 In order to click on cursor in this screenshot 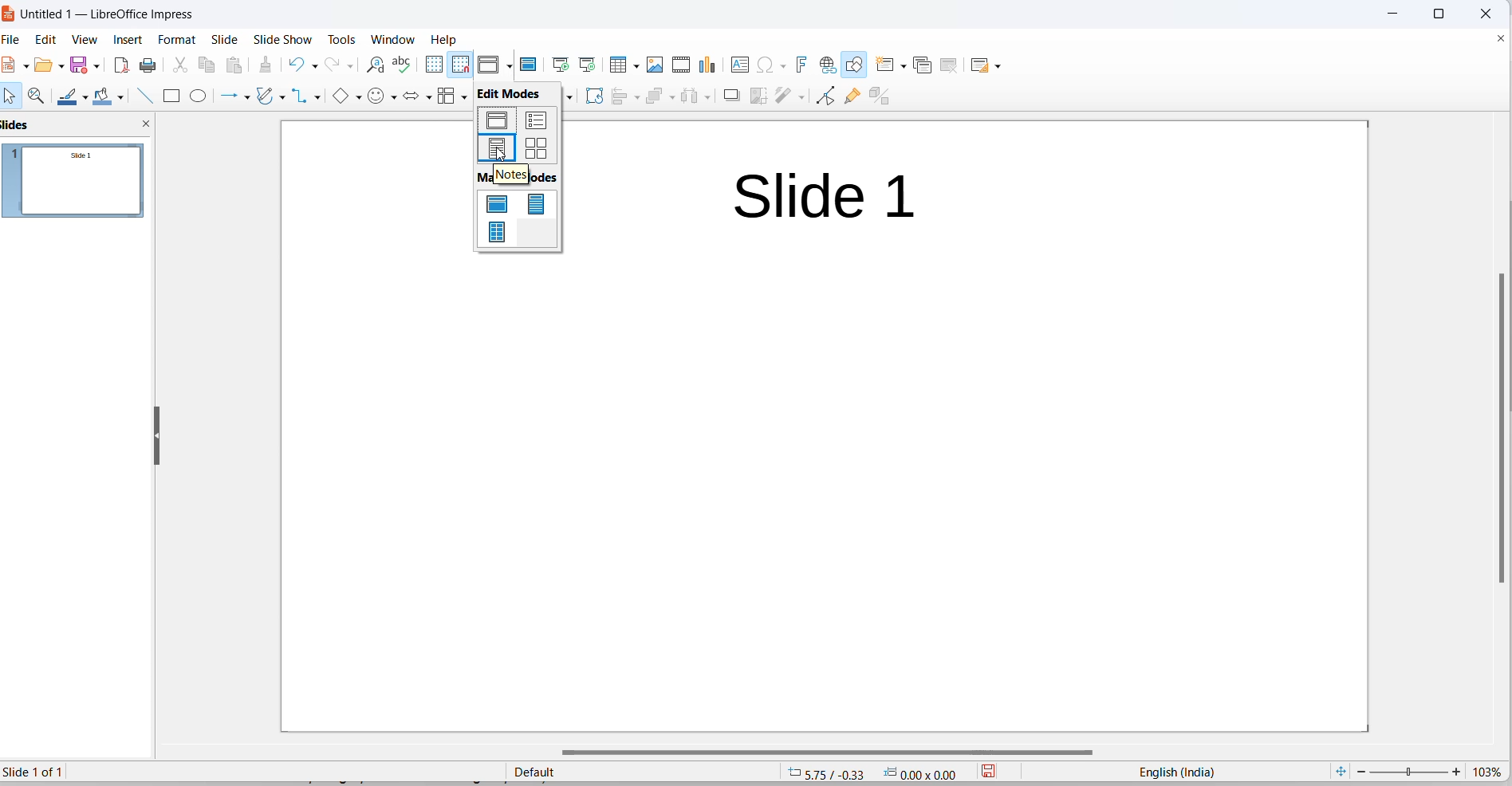, I will do `click(513, 71)`.